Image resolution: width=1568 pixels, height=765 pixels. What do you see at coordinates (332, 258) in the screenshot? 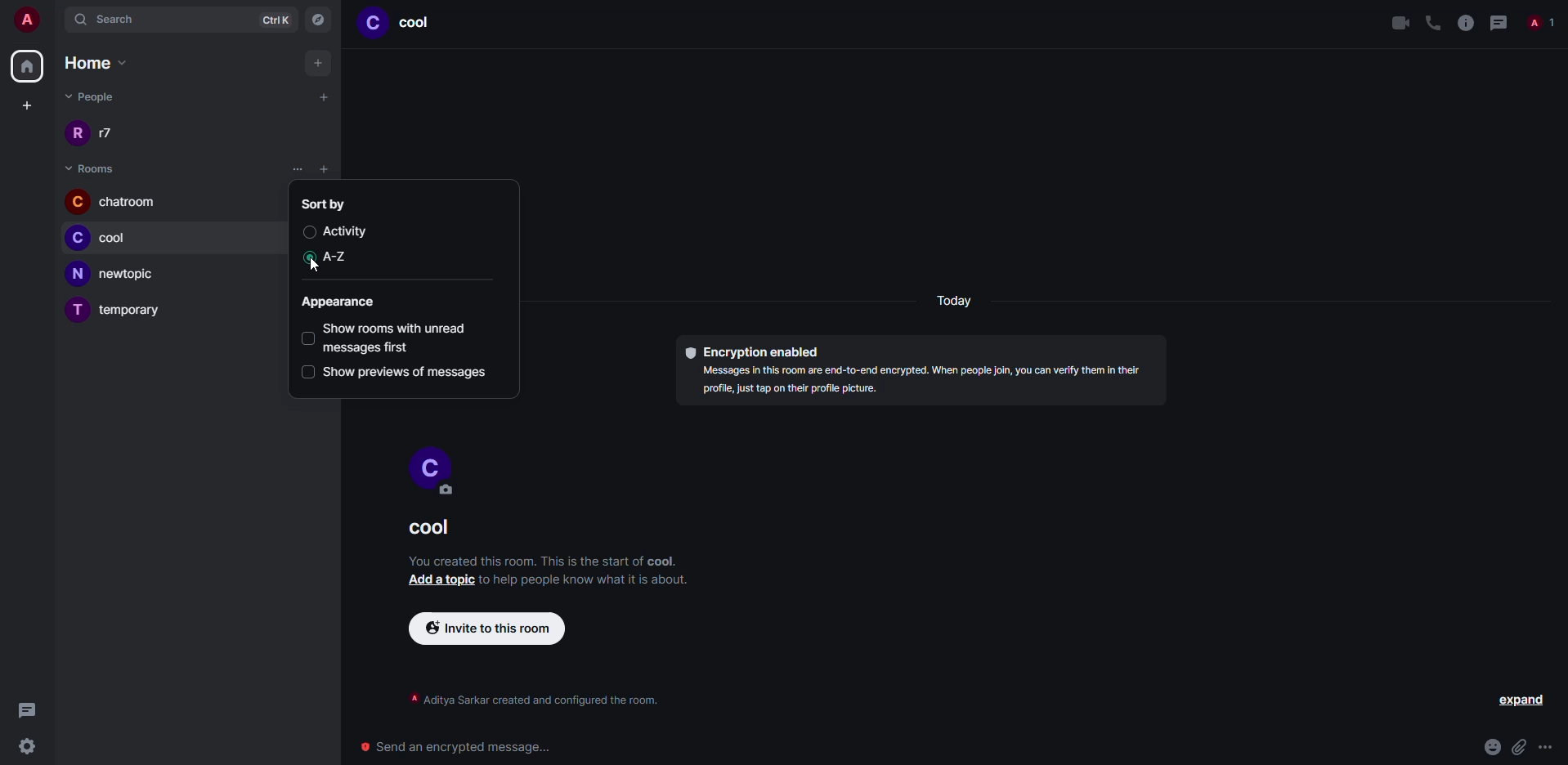
I see `a-z` at bounding box center [332, 258].